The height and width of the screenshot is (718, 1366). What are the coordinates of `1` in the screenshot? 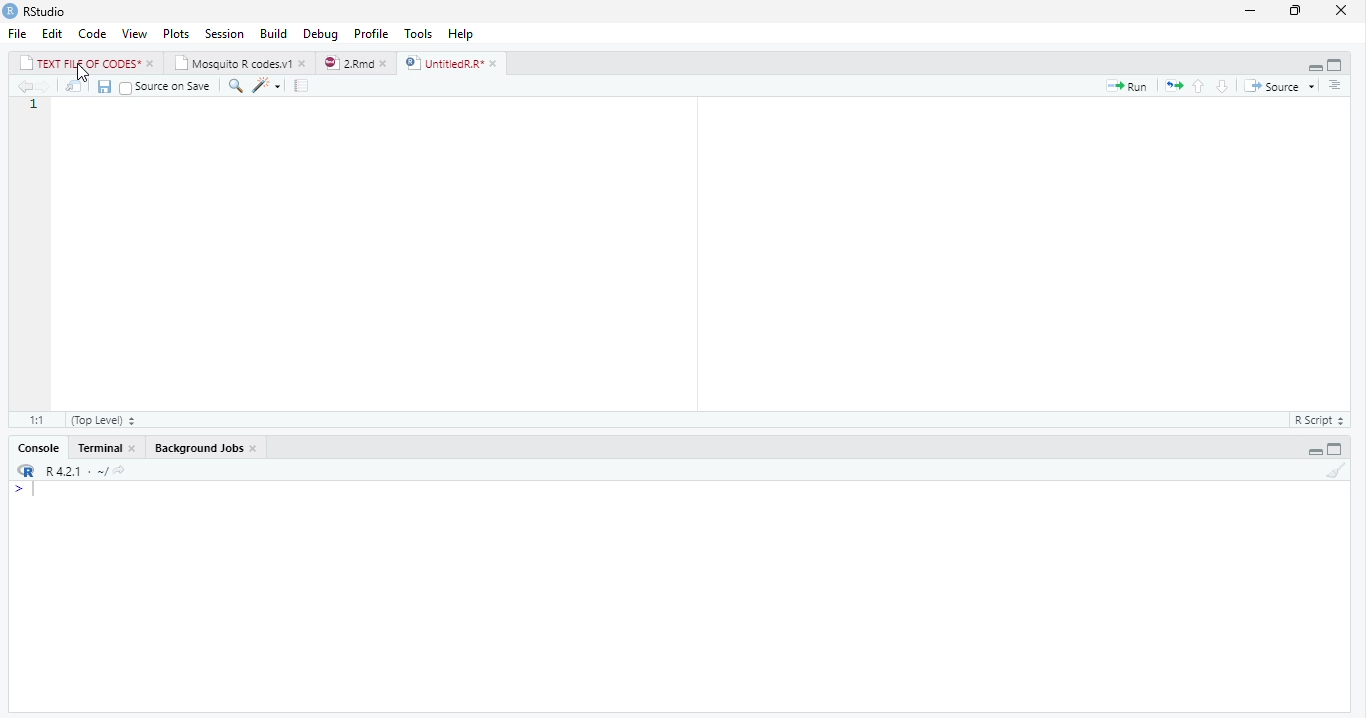 It's located at (31, 106).